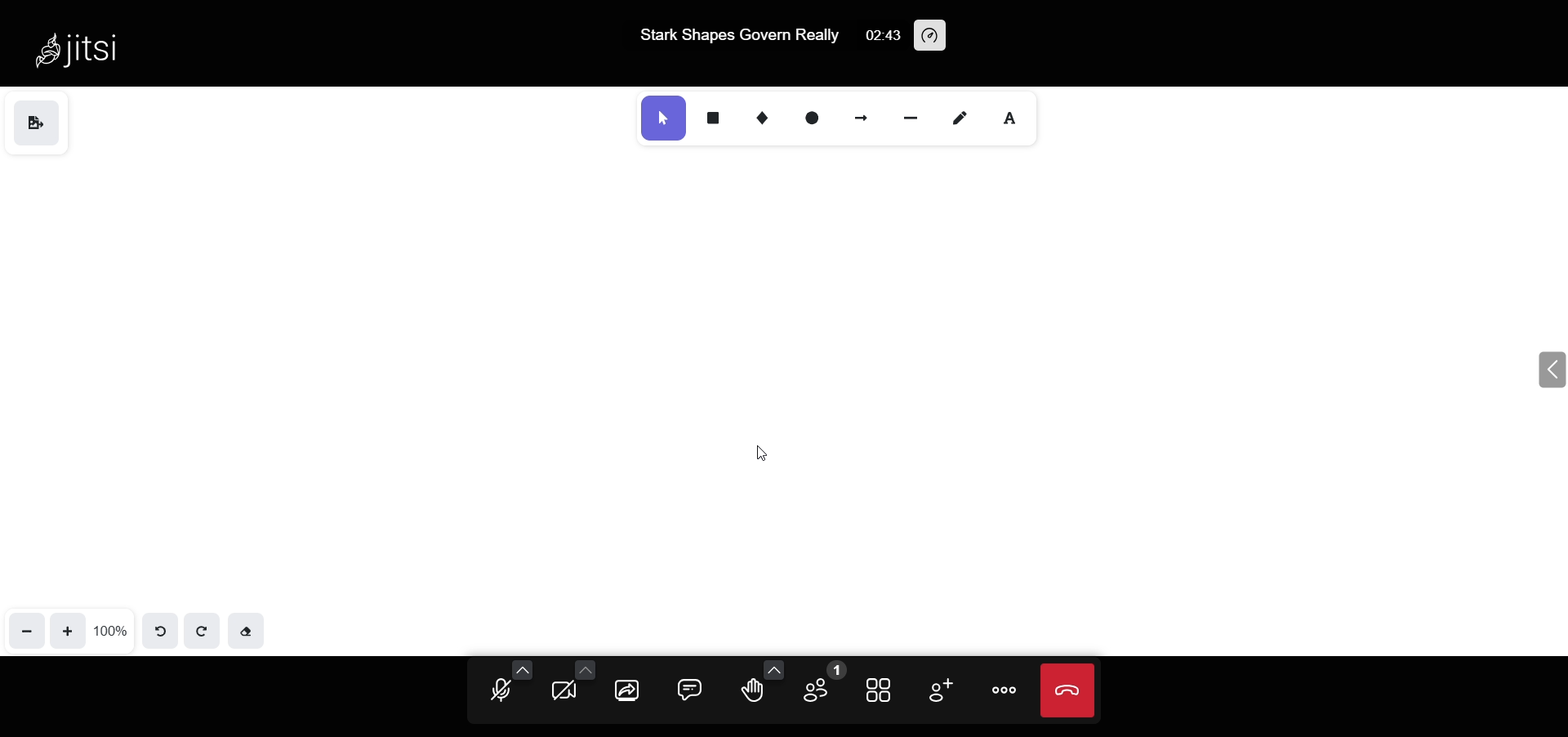  What do you see at coordinates (726, 36) in the screenshot?
I see `Stark Shapes Govern Really` at bounding box center [726, 36].